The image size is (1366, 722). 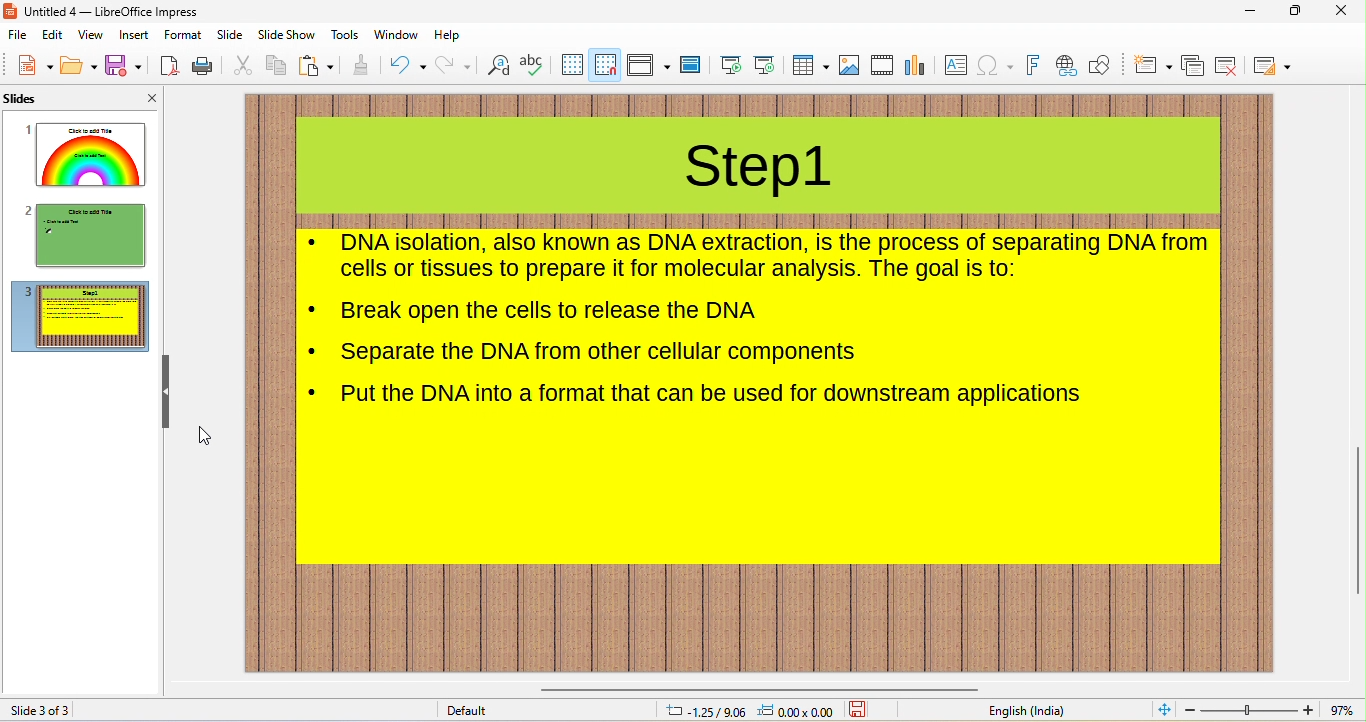 What do you see at coordinates (1160, 710) in the screenshot?
I see `fit to current slide` at bounding box center [1160, 710].